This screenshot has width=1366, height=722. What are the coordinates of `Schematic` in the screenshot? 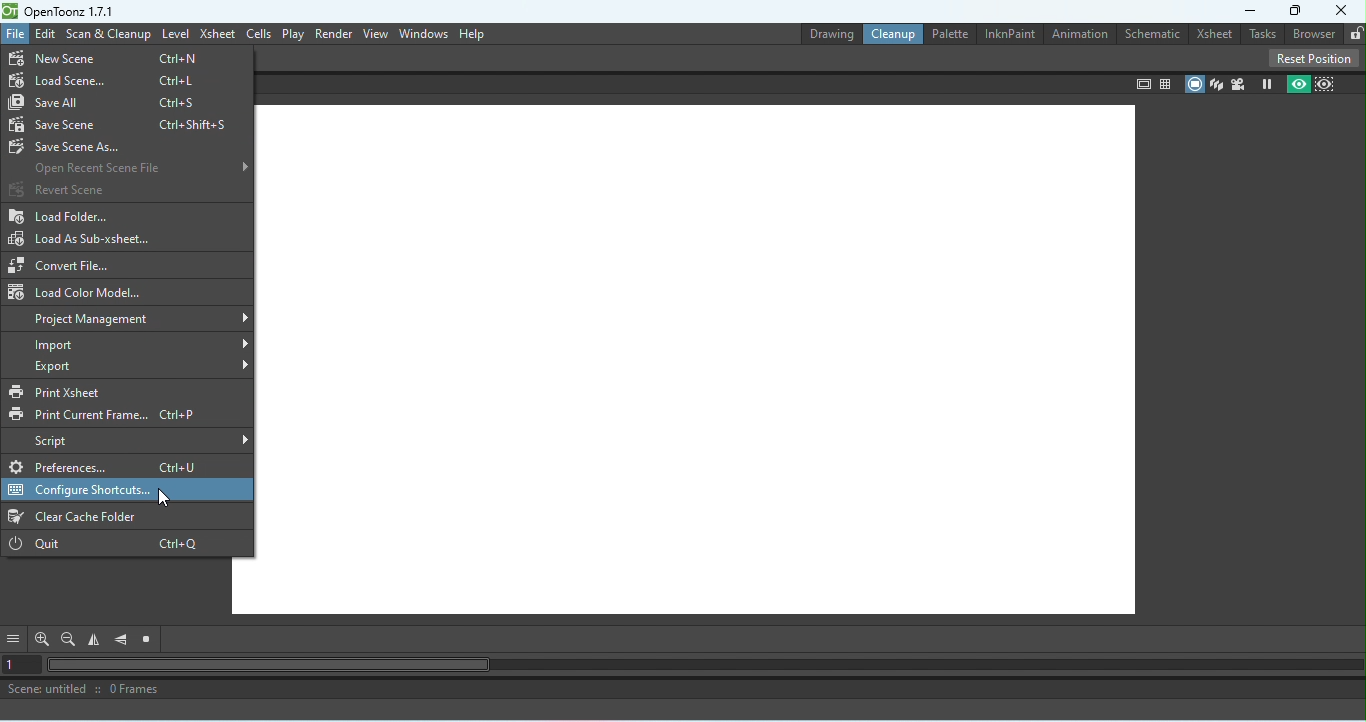 It's located at (1150, 33).